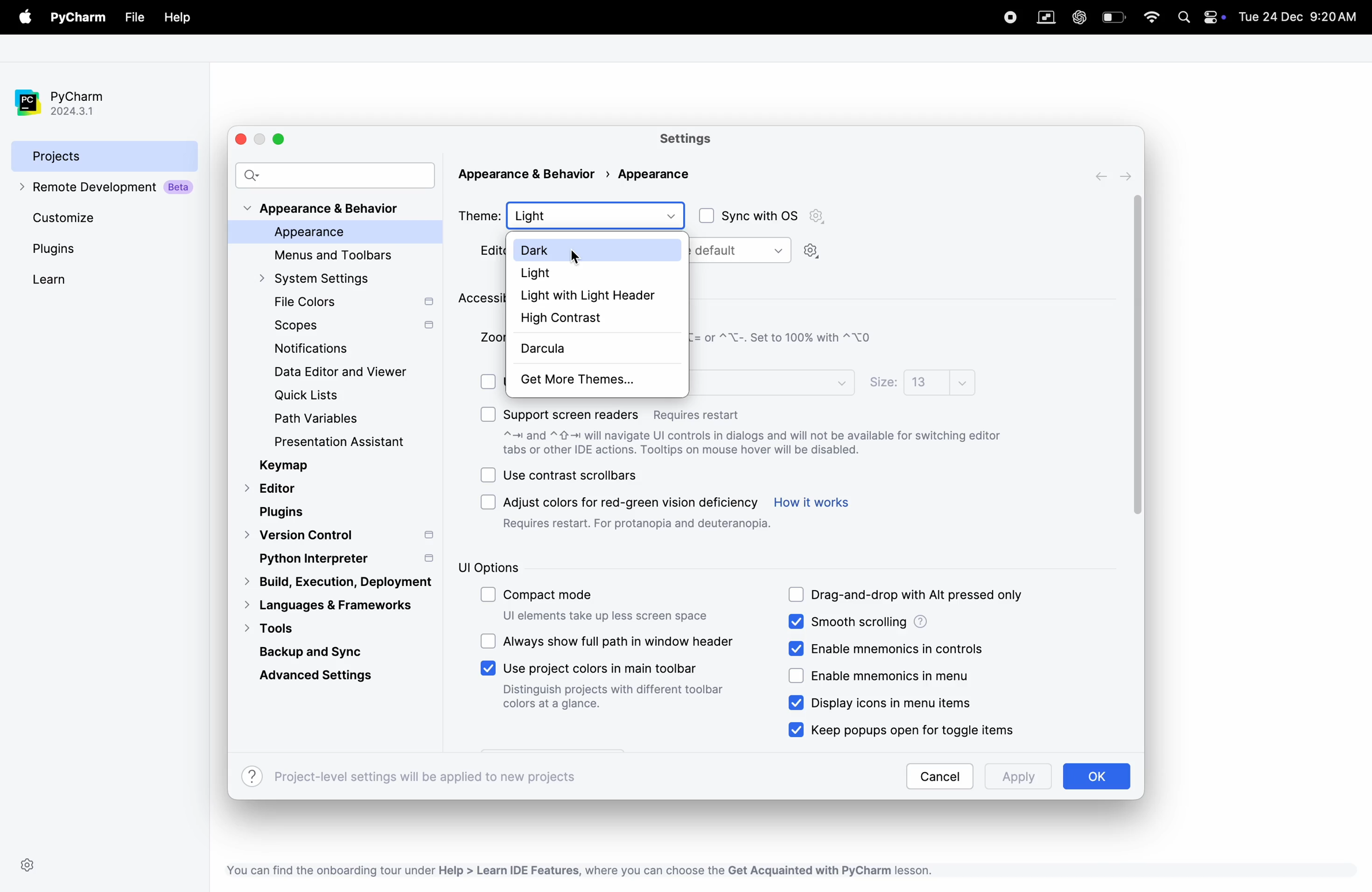 The height and width of the screenshot is (892, 1372). I want to click on high contrast, so click(594, 318).